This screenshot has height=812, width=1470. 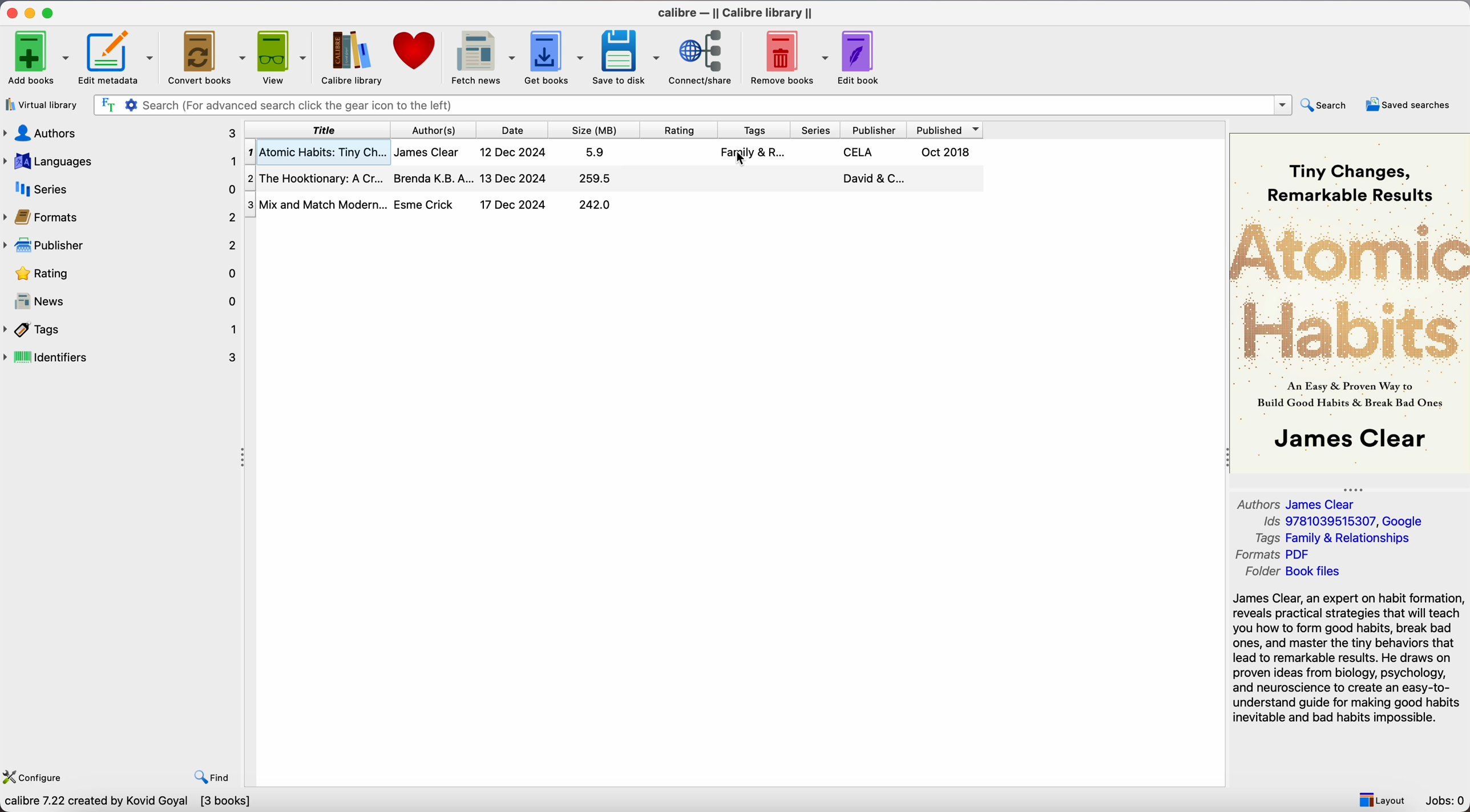 I want to click on rating, so click(x=122, y=274).